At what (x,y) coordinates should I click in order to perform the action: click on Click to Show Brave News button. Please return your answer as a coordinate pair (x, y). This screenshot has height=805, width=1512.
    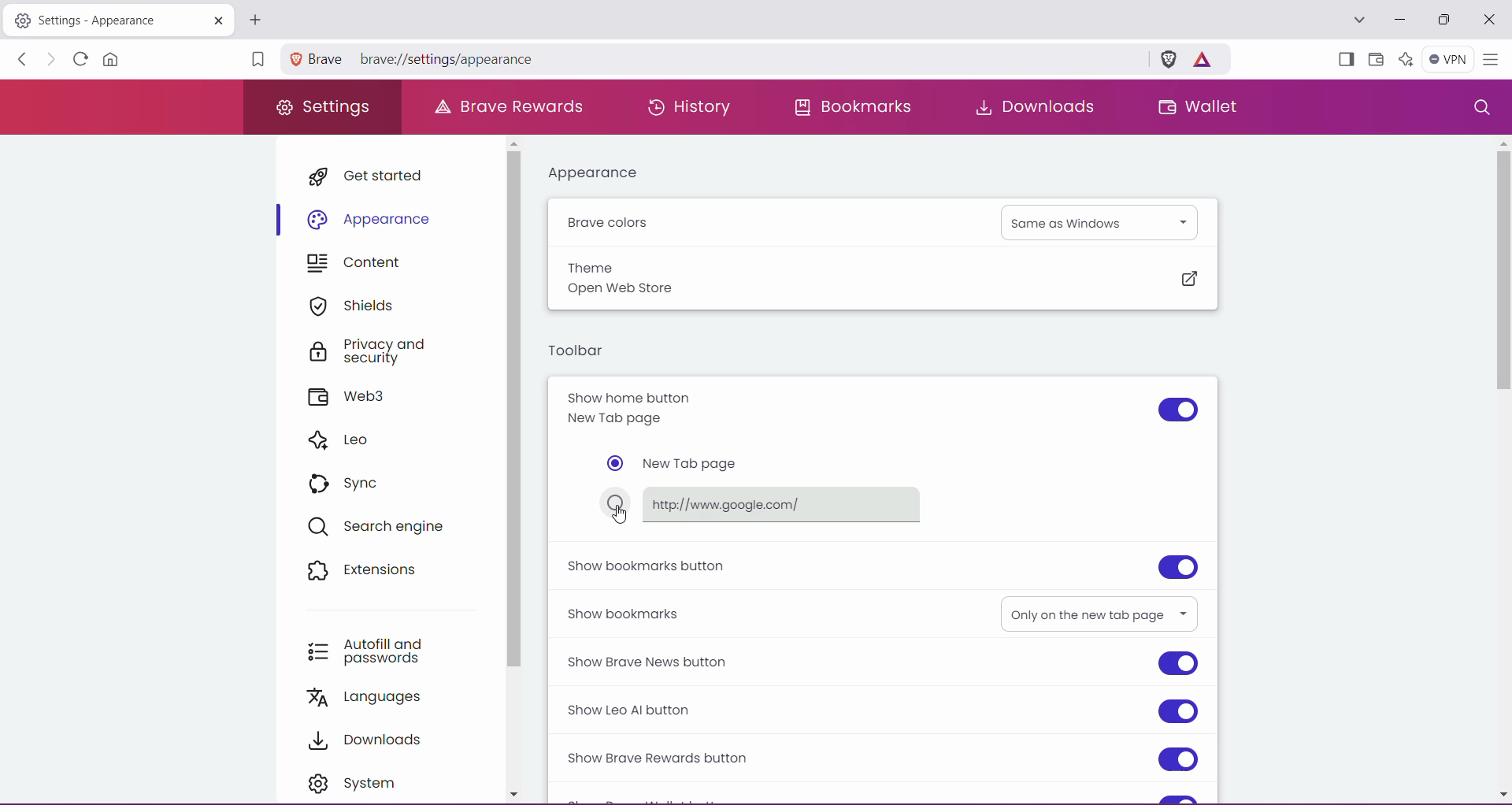
    Looking at the image, I should click on (1179, 665).